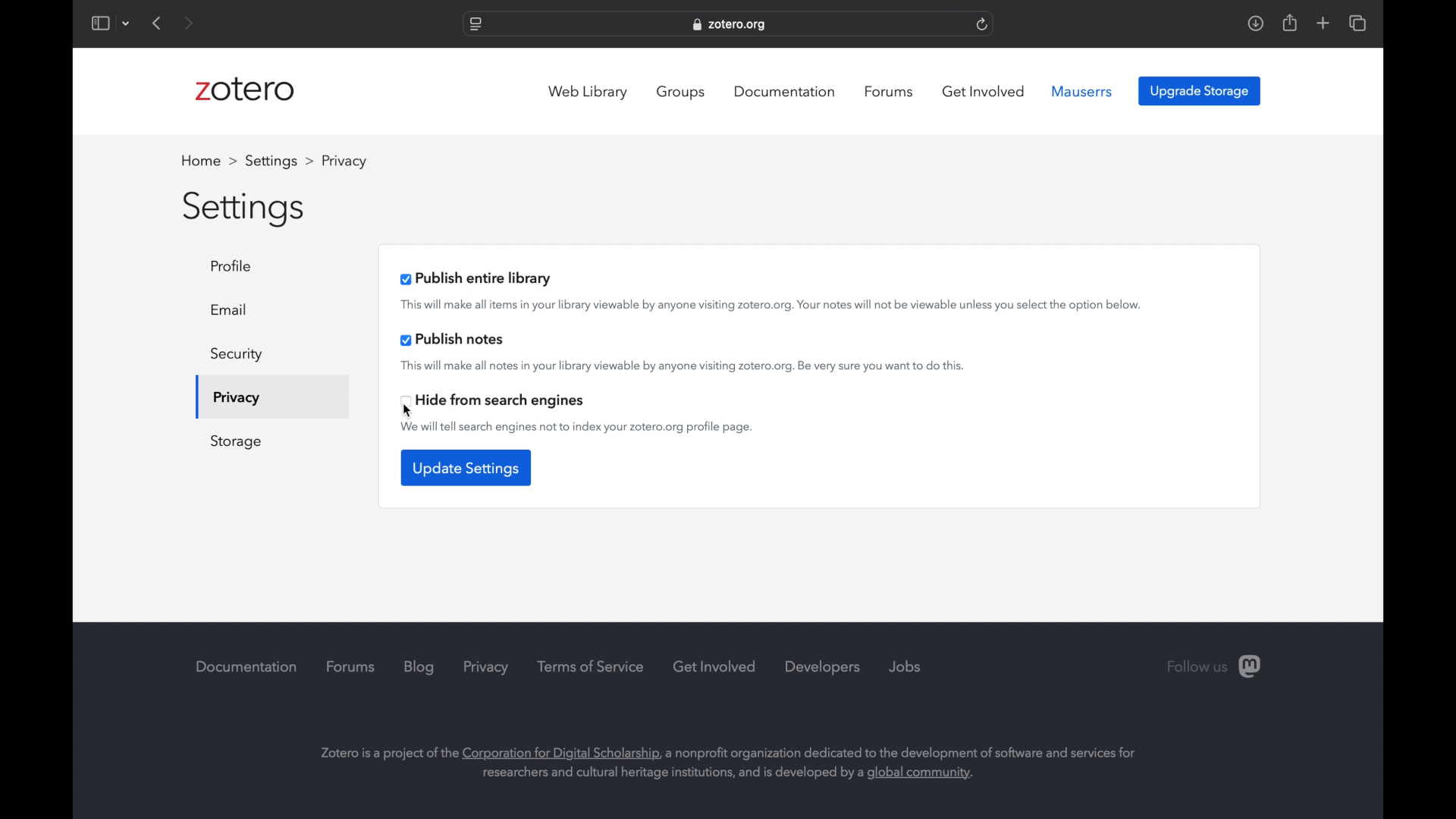 The height and width of the screenshot is (819, 1456). I want to click on downloads, so click(1256, 23).